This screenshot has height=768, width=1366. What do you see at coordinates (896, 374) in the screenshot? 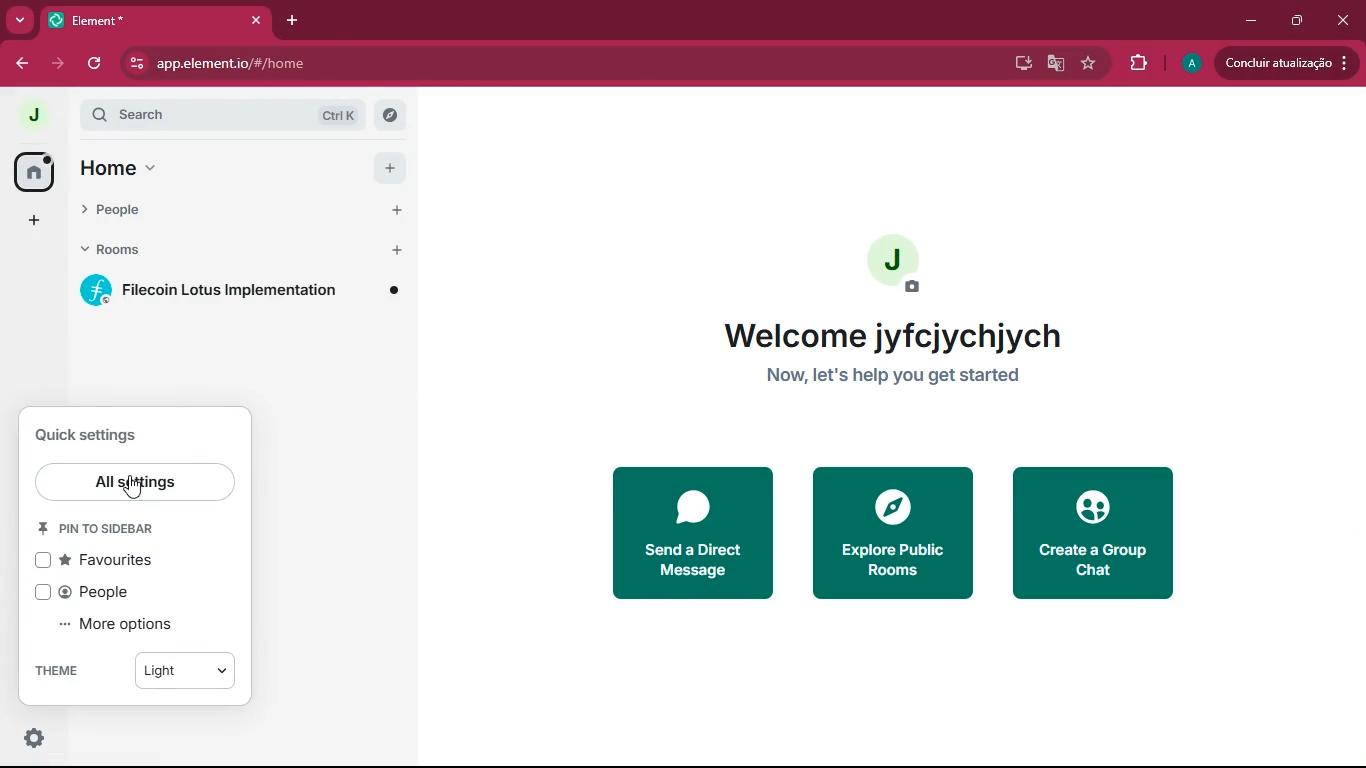
I see `Now let's help you get started` at bounding box center [896, 374].